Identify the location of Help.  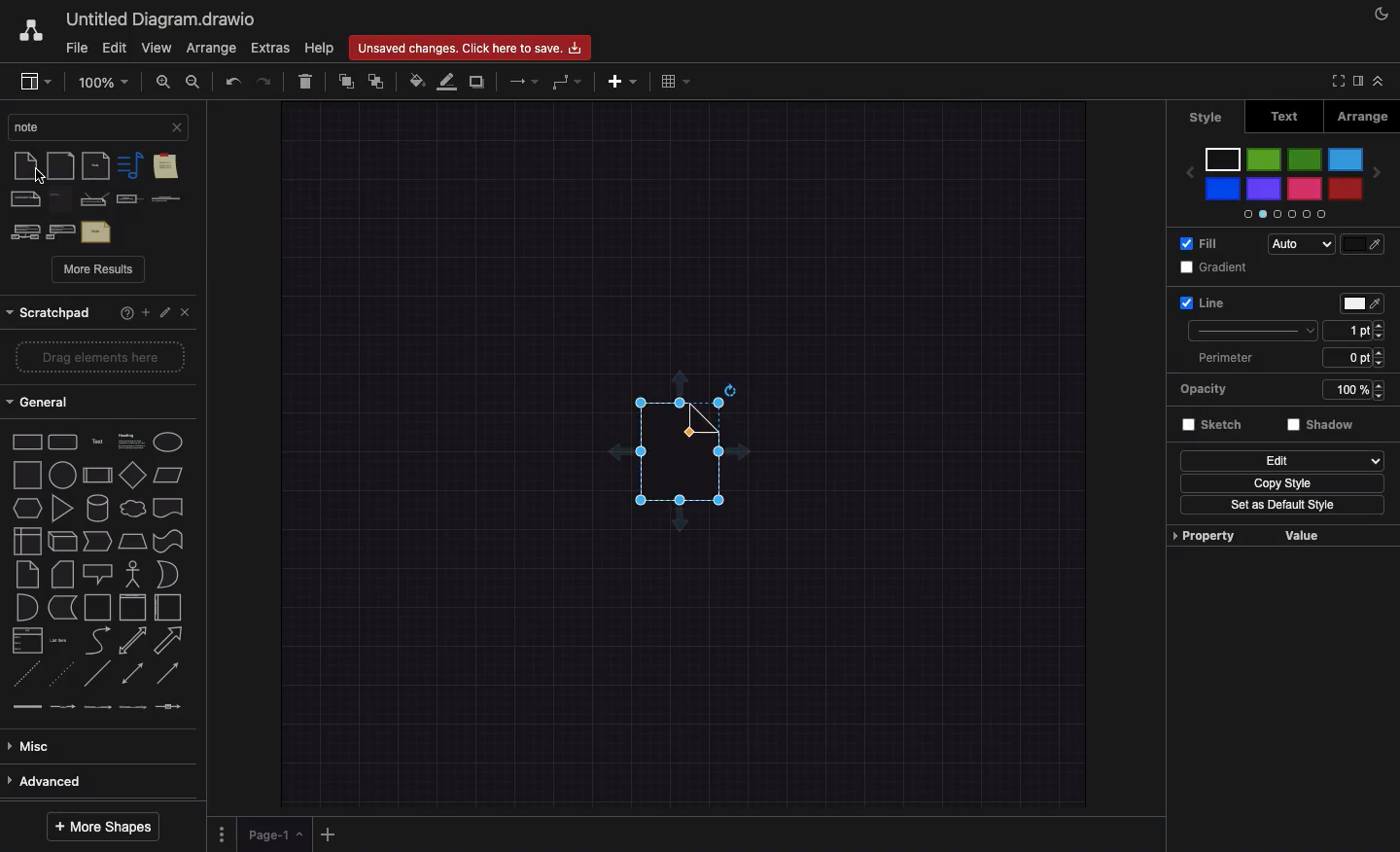
(321, 47).